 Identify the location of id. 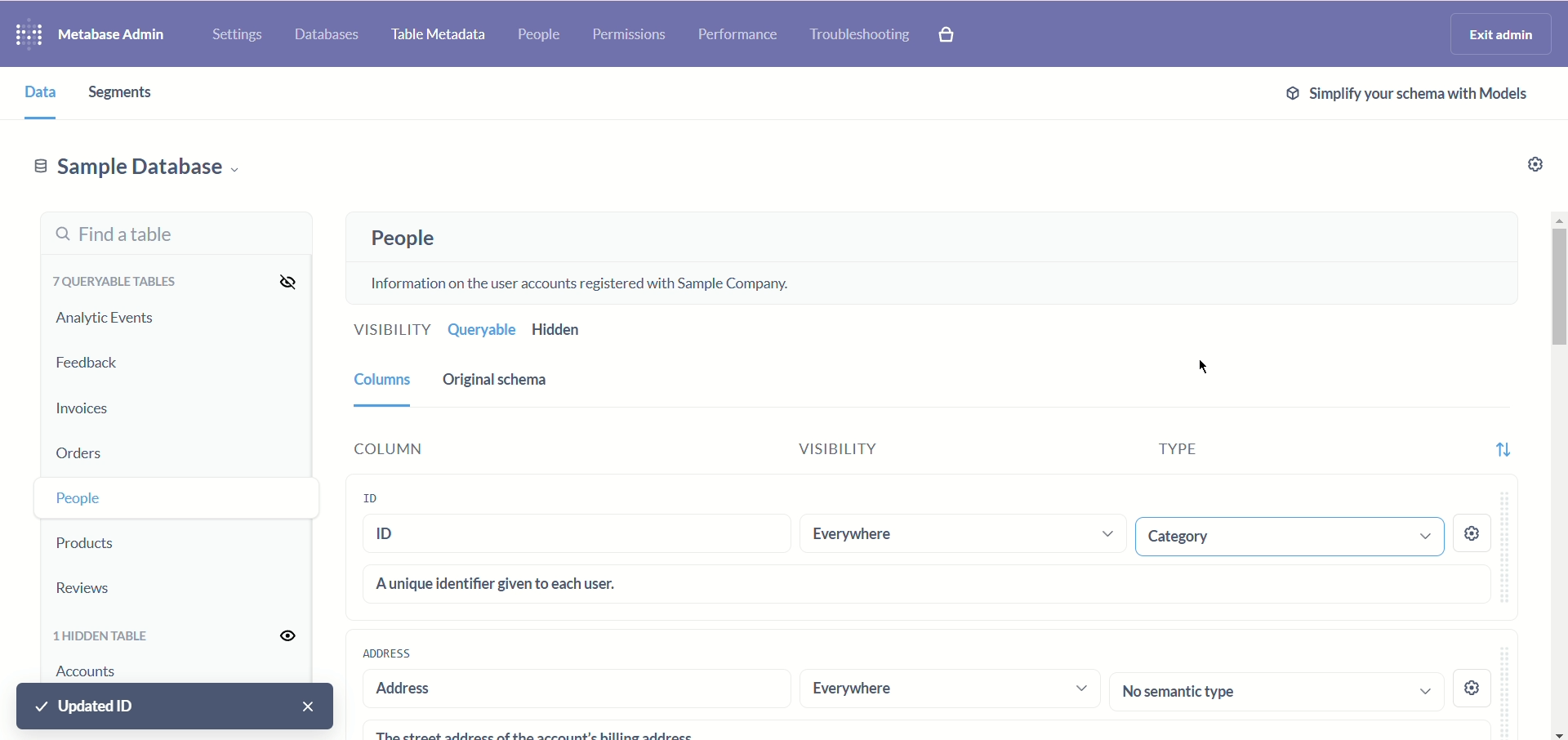
(579, 537).